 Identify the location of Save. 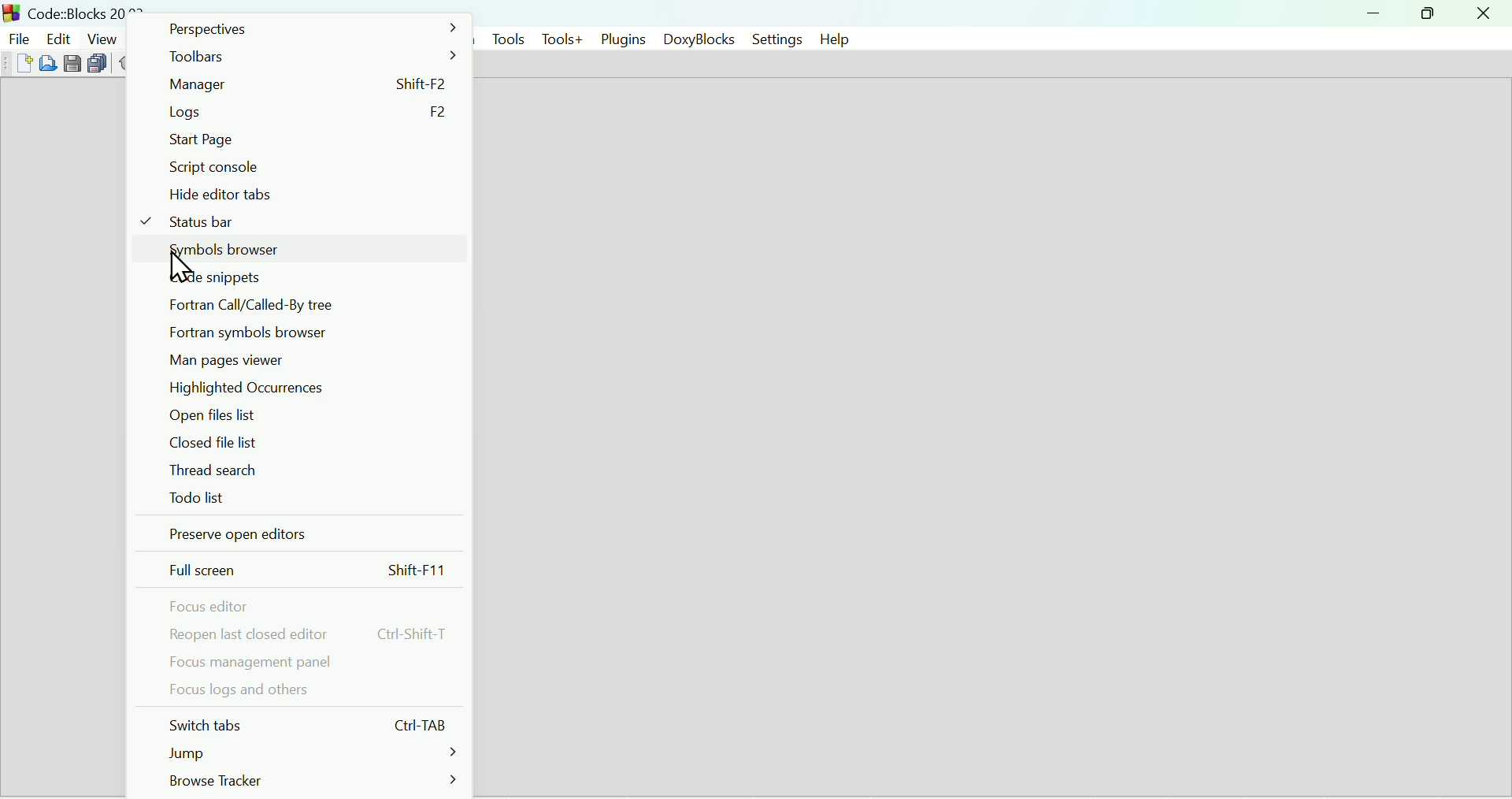
(72, 63).